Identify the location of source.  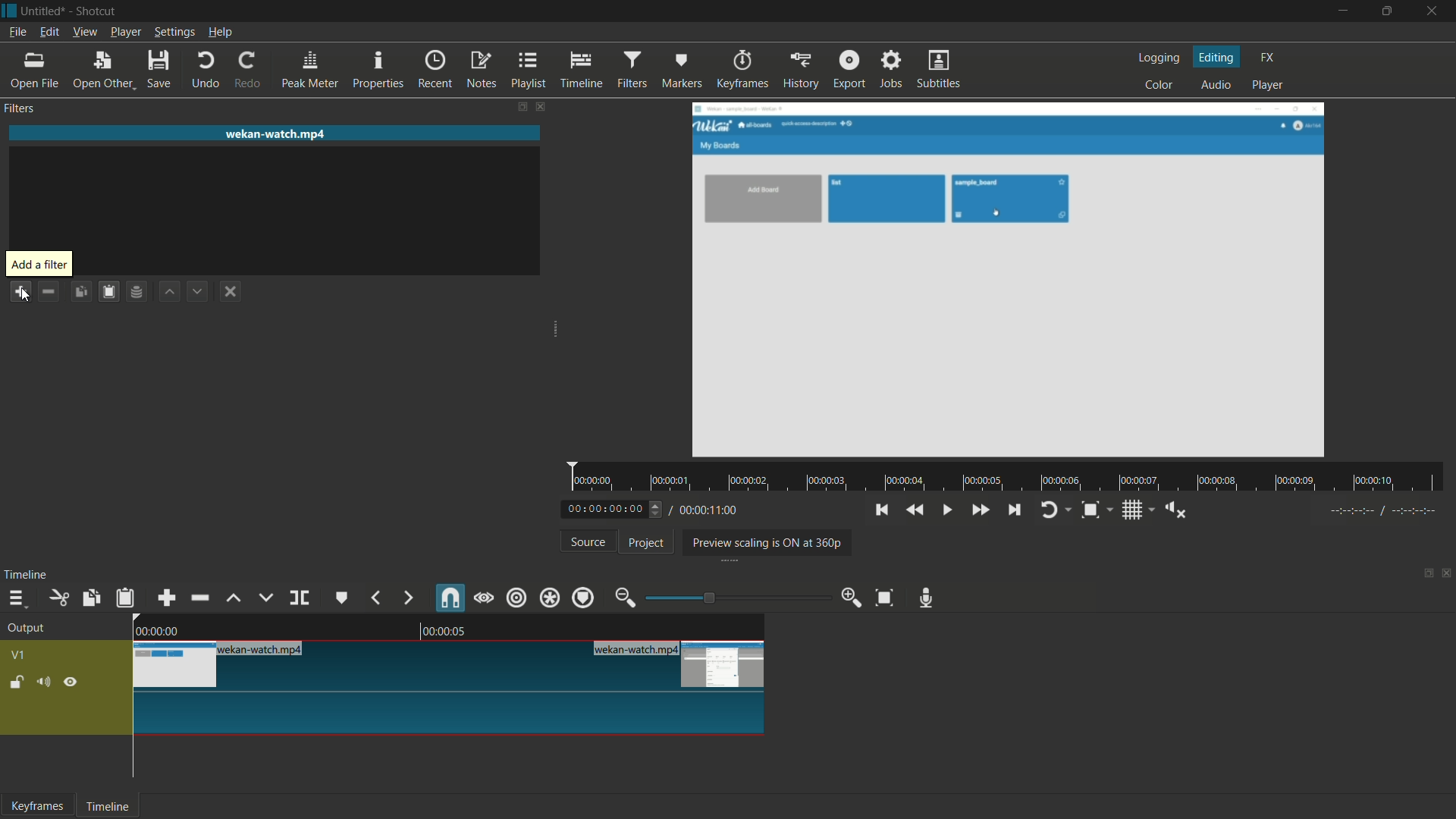
(588, 541).